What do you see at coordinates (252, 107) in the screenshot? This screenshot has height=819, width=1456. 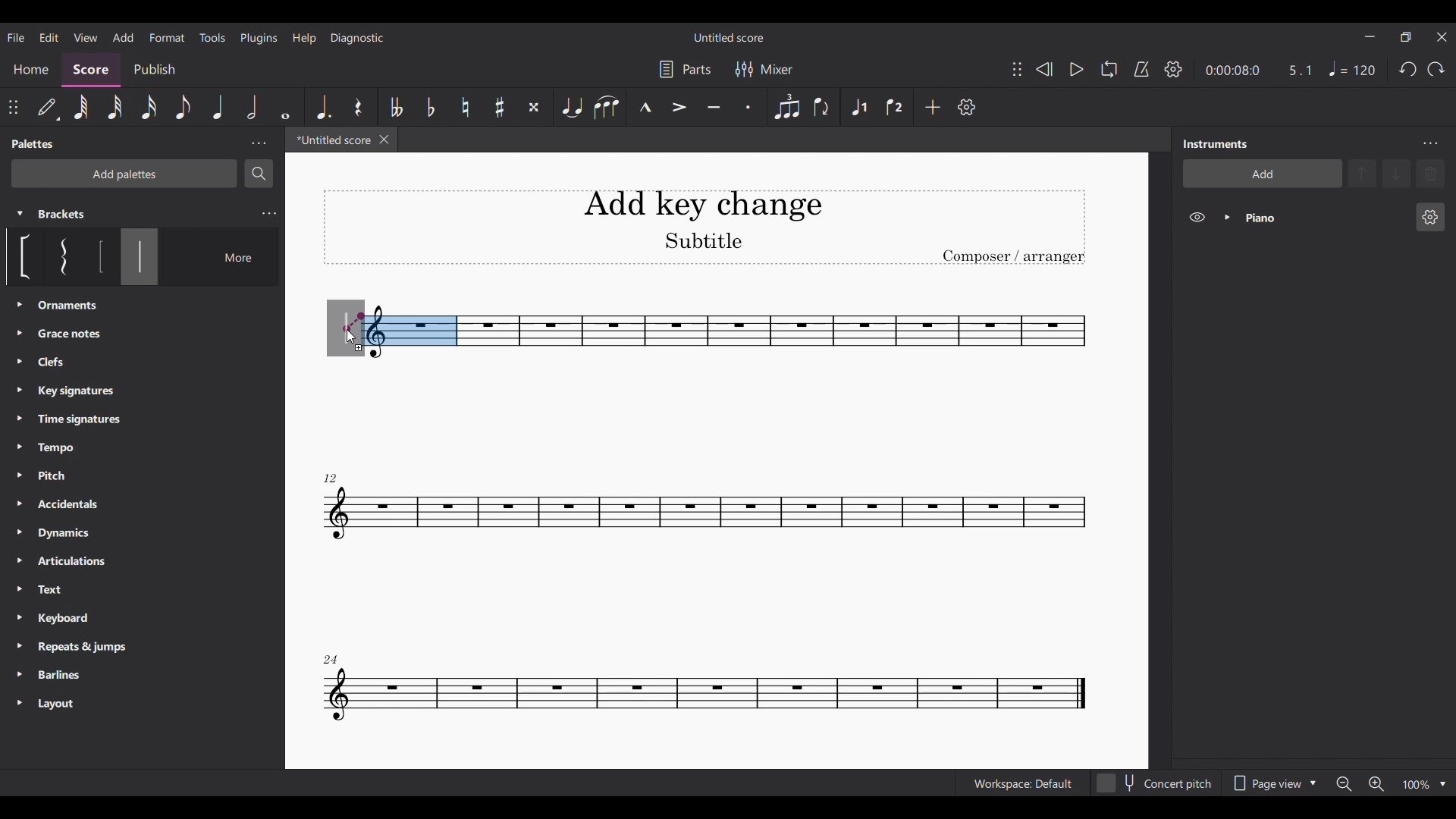 I see `Half note` at bounding box center [252, 107].